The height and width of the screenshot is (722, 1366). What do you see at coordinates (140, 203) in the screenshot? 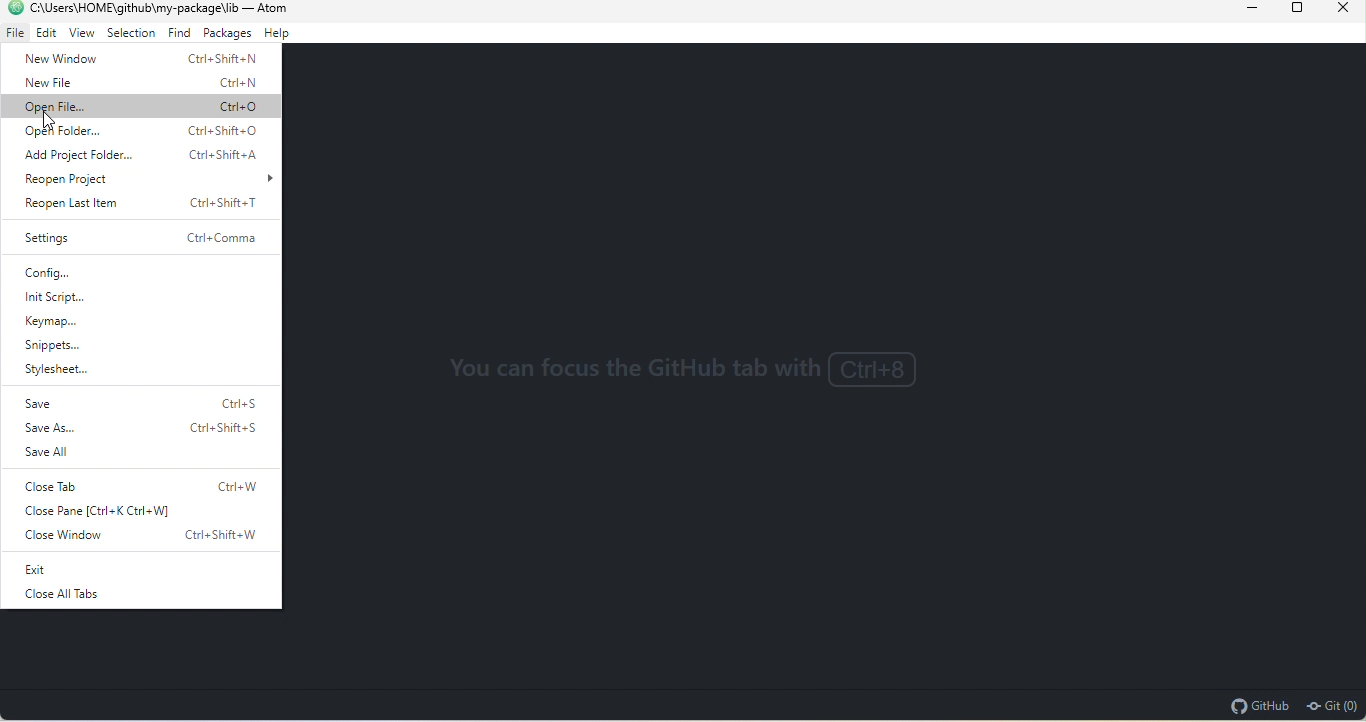
I see `reopen last item` at bounding box center [140, 203].